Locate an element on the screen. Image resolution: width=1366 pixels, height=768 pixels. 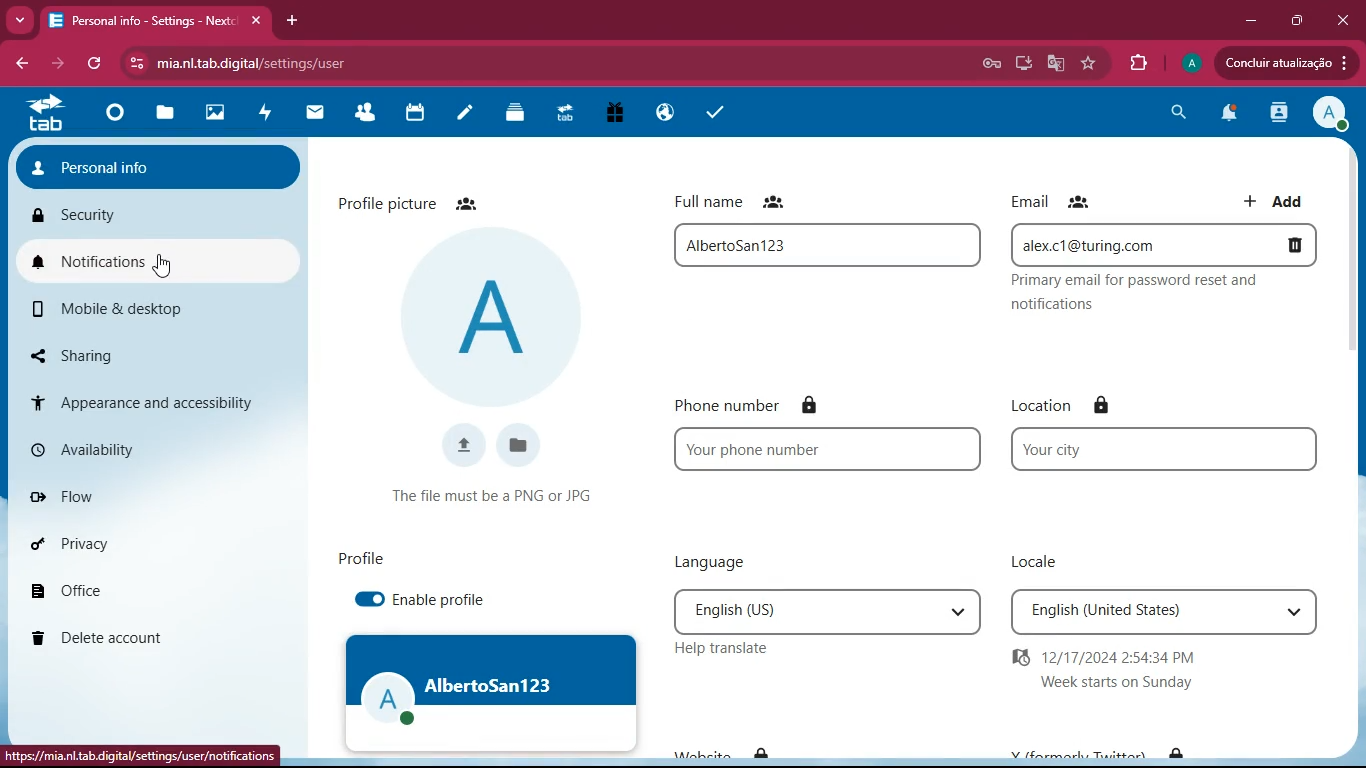
tab is located at coordinates (160, 21).